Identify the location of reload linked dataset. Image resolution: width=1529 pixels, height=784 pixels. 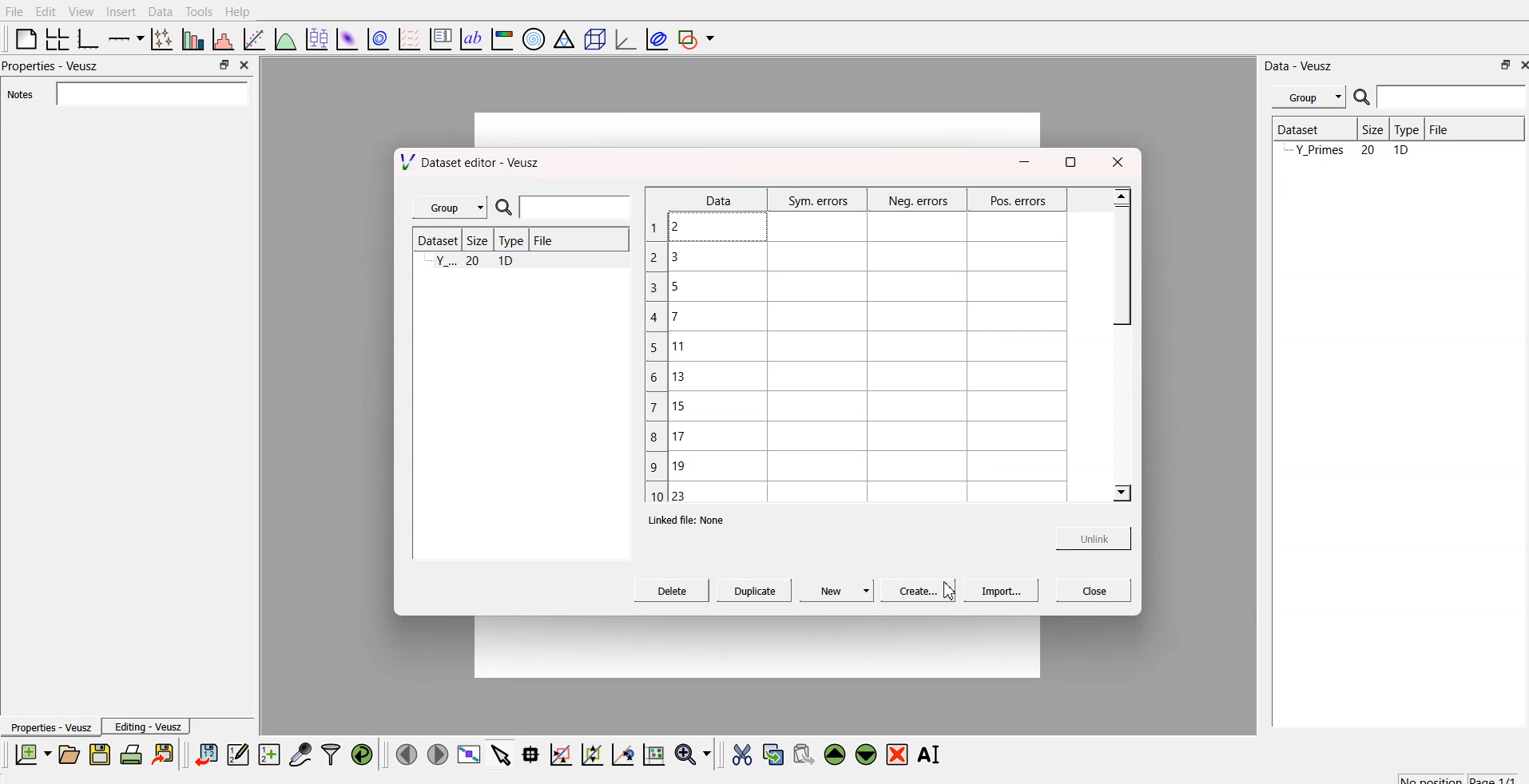
(362, 752).